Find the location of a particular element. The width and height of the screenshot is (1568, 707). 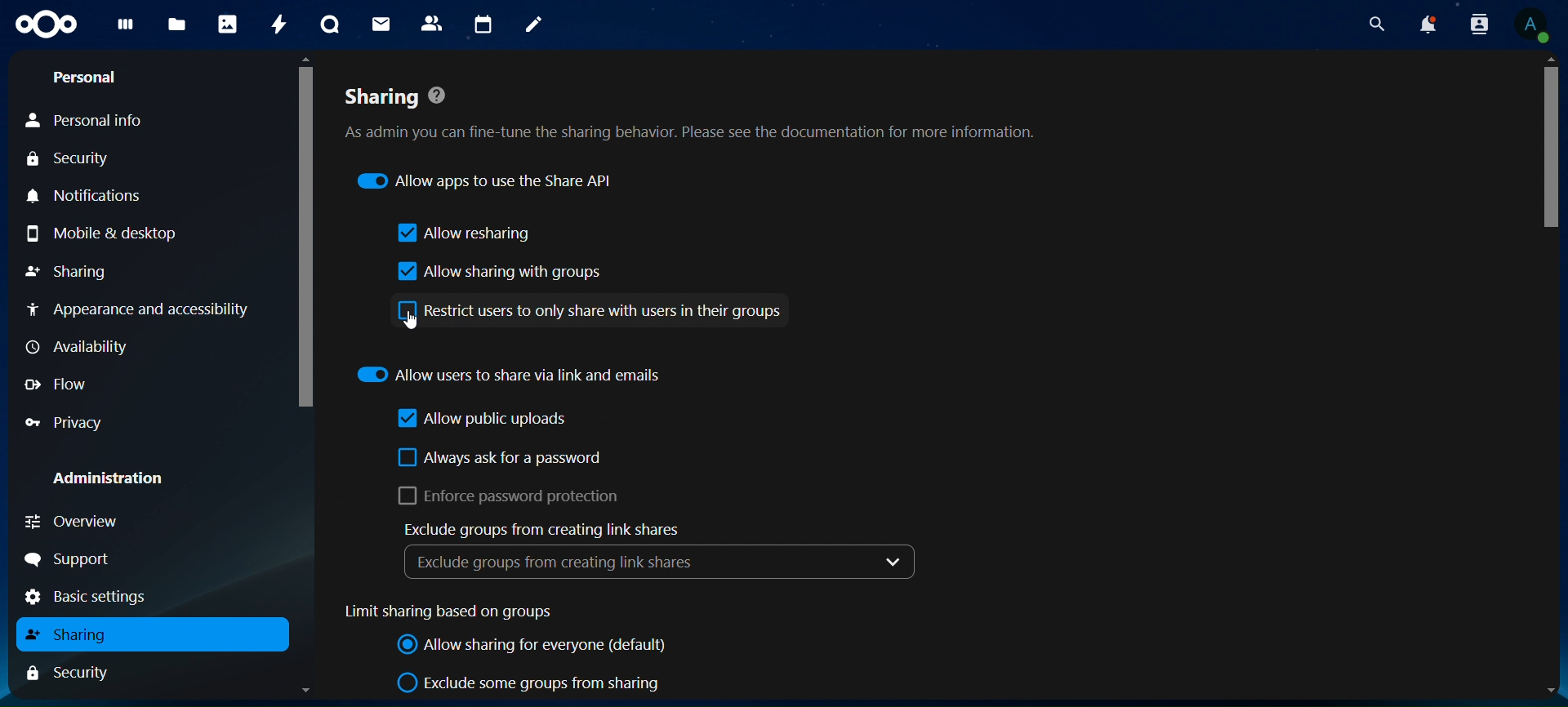

contact is located at coordinates (432, 22).